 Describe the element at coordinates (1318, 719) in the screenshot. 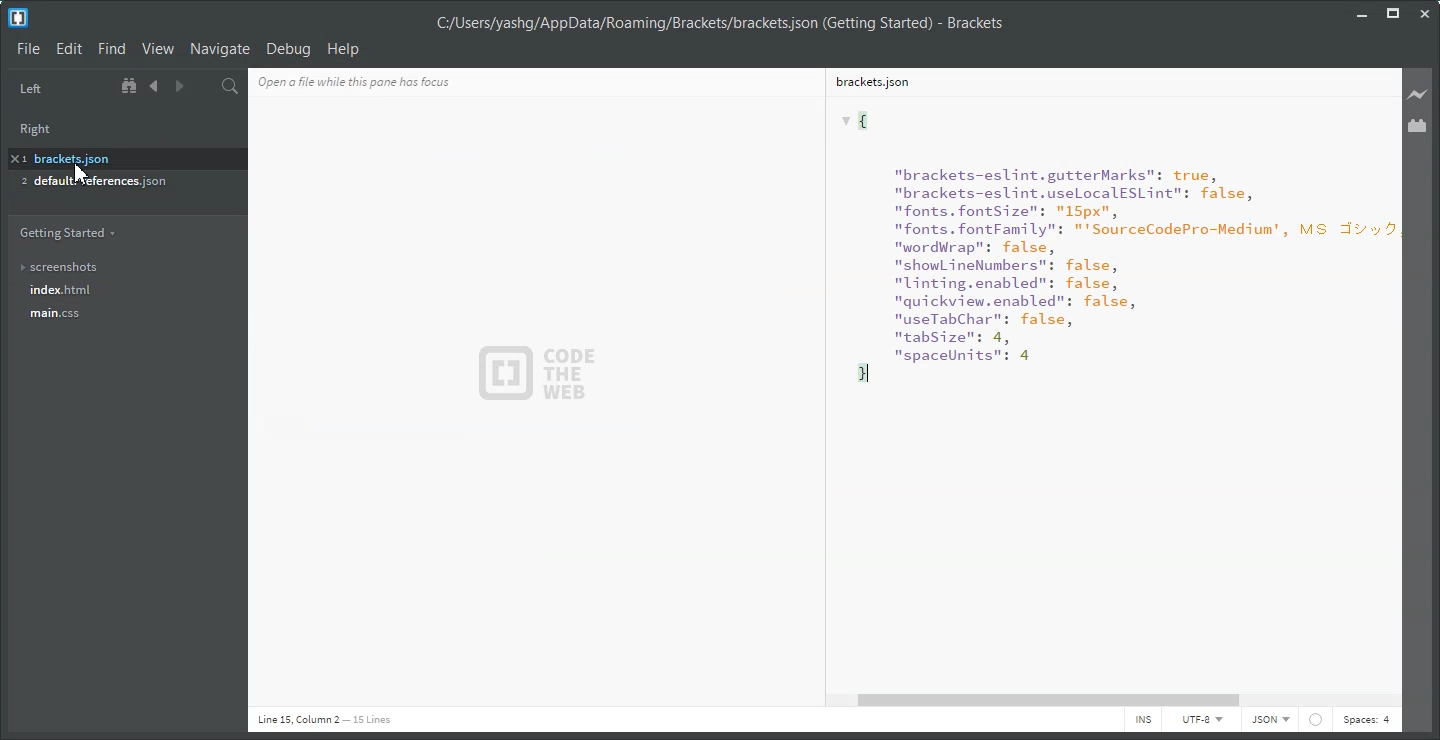

I see `circle` at that location.